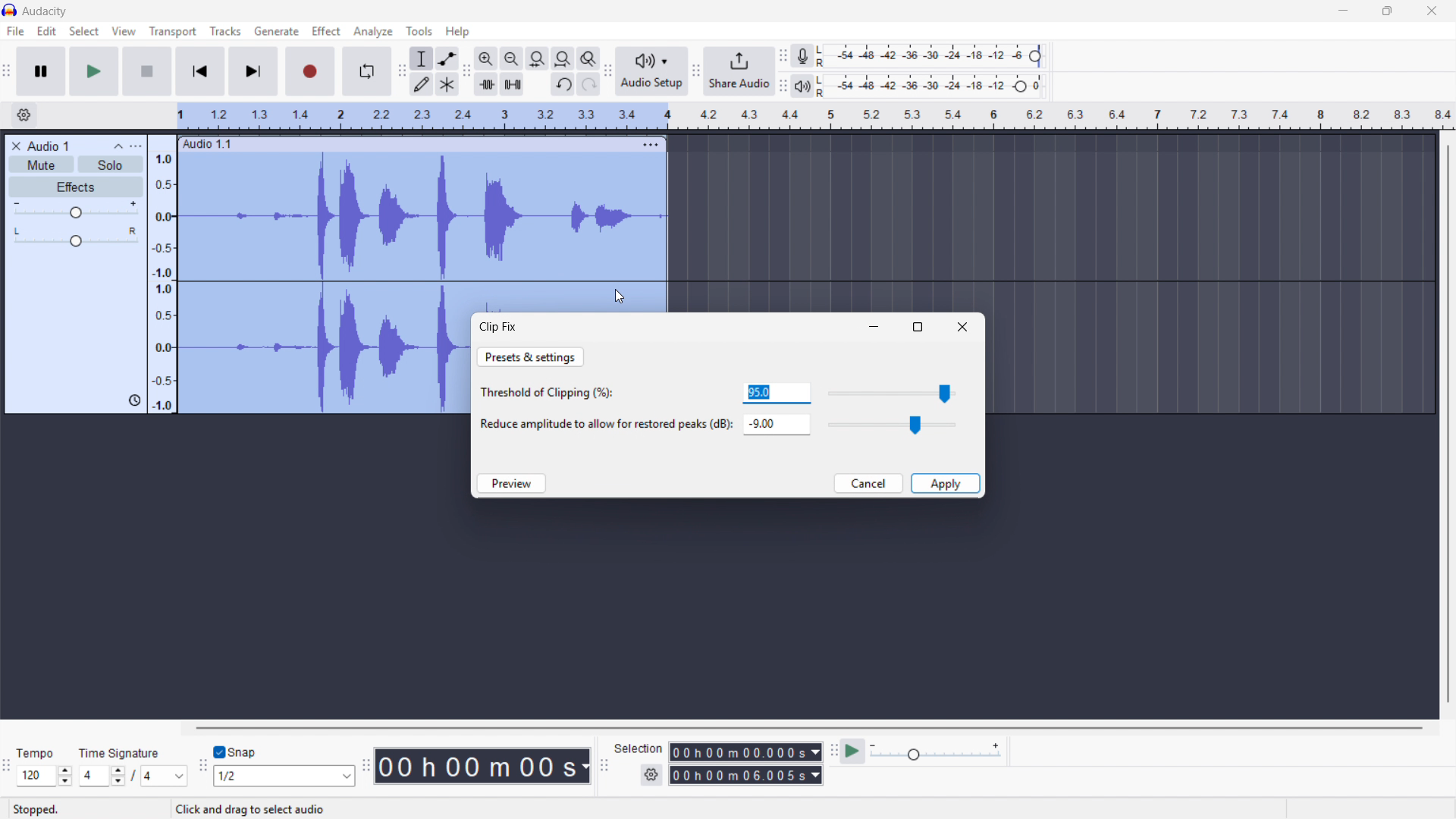 This screenshot has height=819, width=1456. What do you see at coordinates (173, 32) in the screenshot?
I see `Transport` at bounding box center [173, 32].